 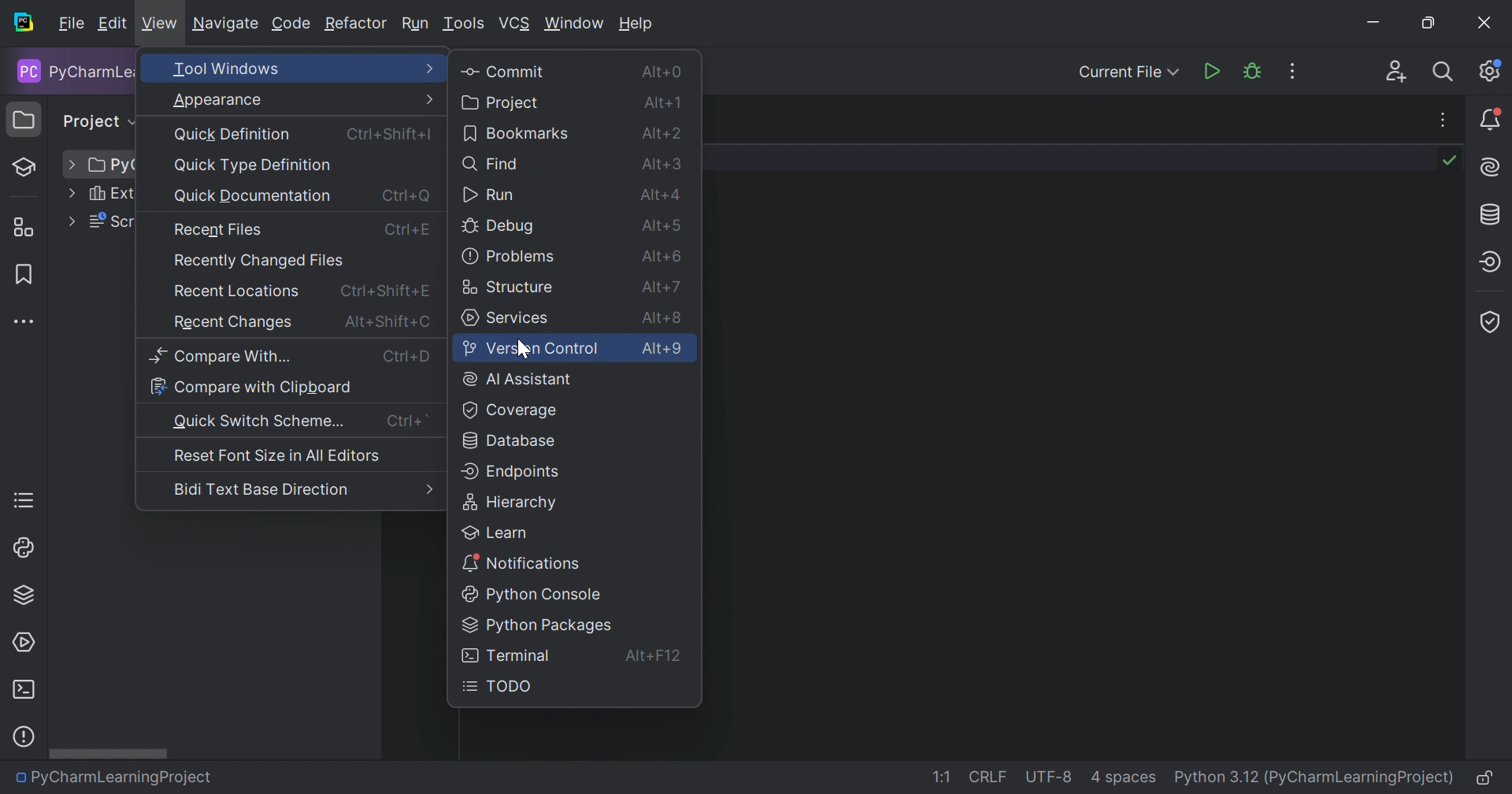 I want to click on Debug, so click(x=501, y=228).